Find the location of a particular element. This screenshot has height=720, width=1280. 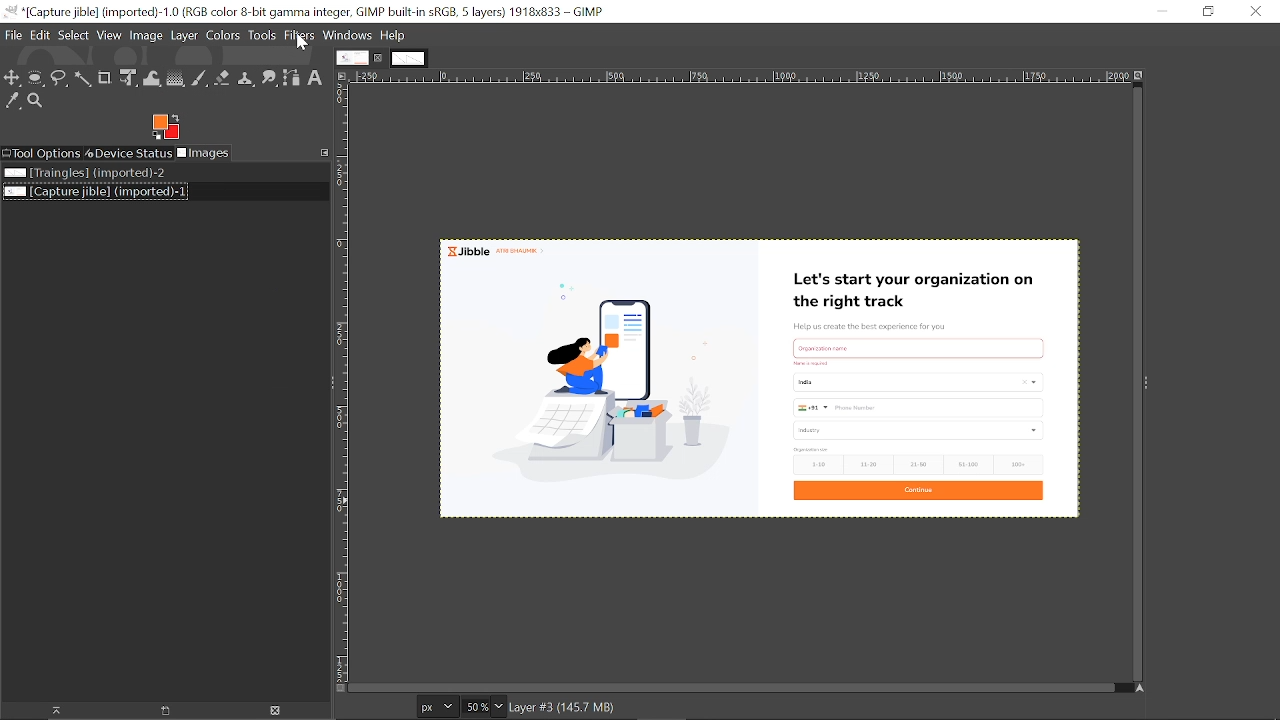

Device status is located at coordinates (128, 153).